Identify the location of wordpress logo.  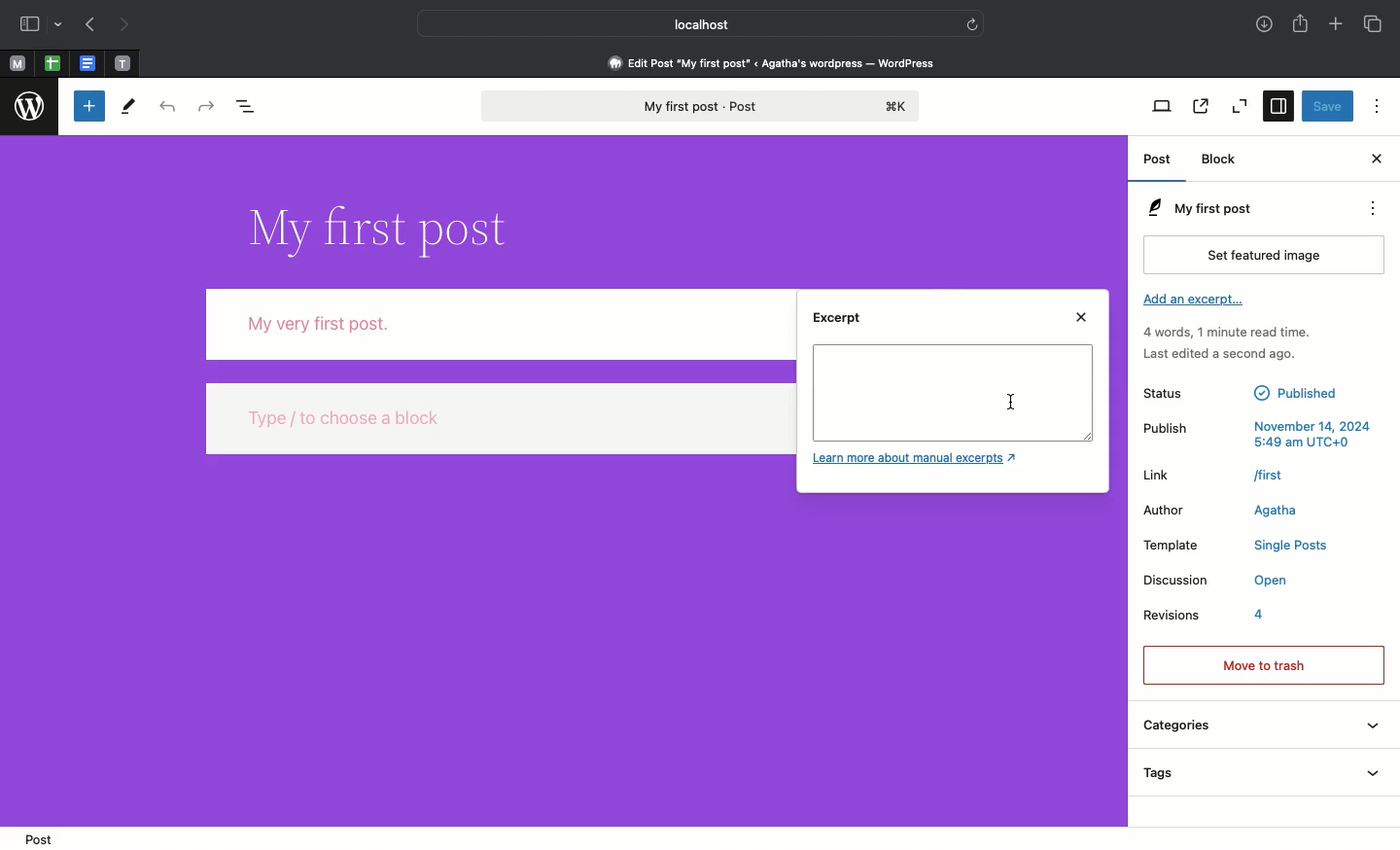
(31, 107).